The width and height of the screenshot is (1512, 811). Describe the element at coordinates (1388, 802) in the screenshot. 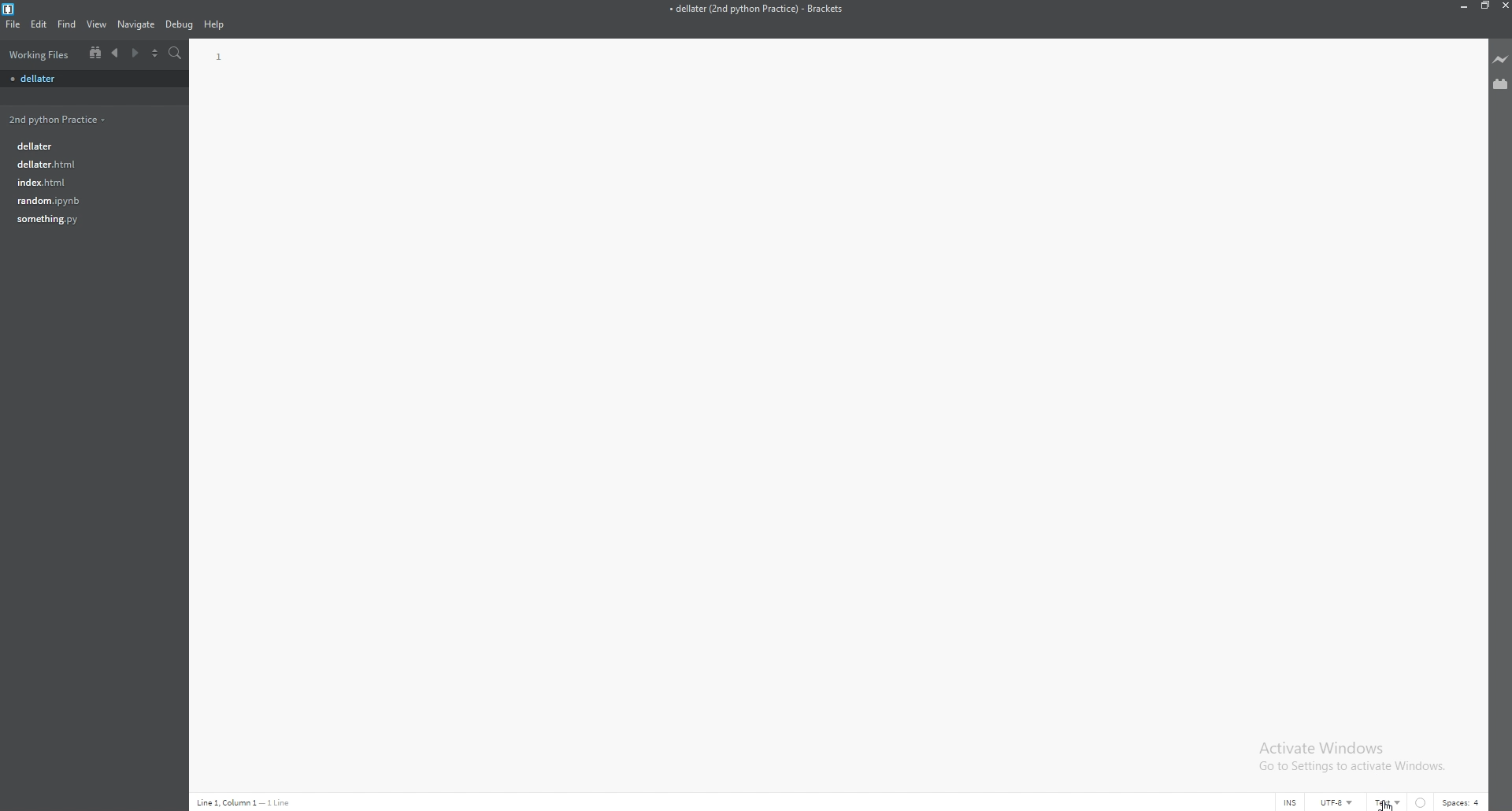

I see `language` at that location.